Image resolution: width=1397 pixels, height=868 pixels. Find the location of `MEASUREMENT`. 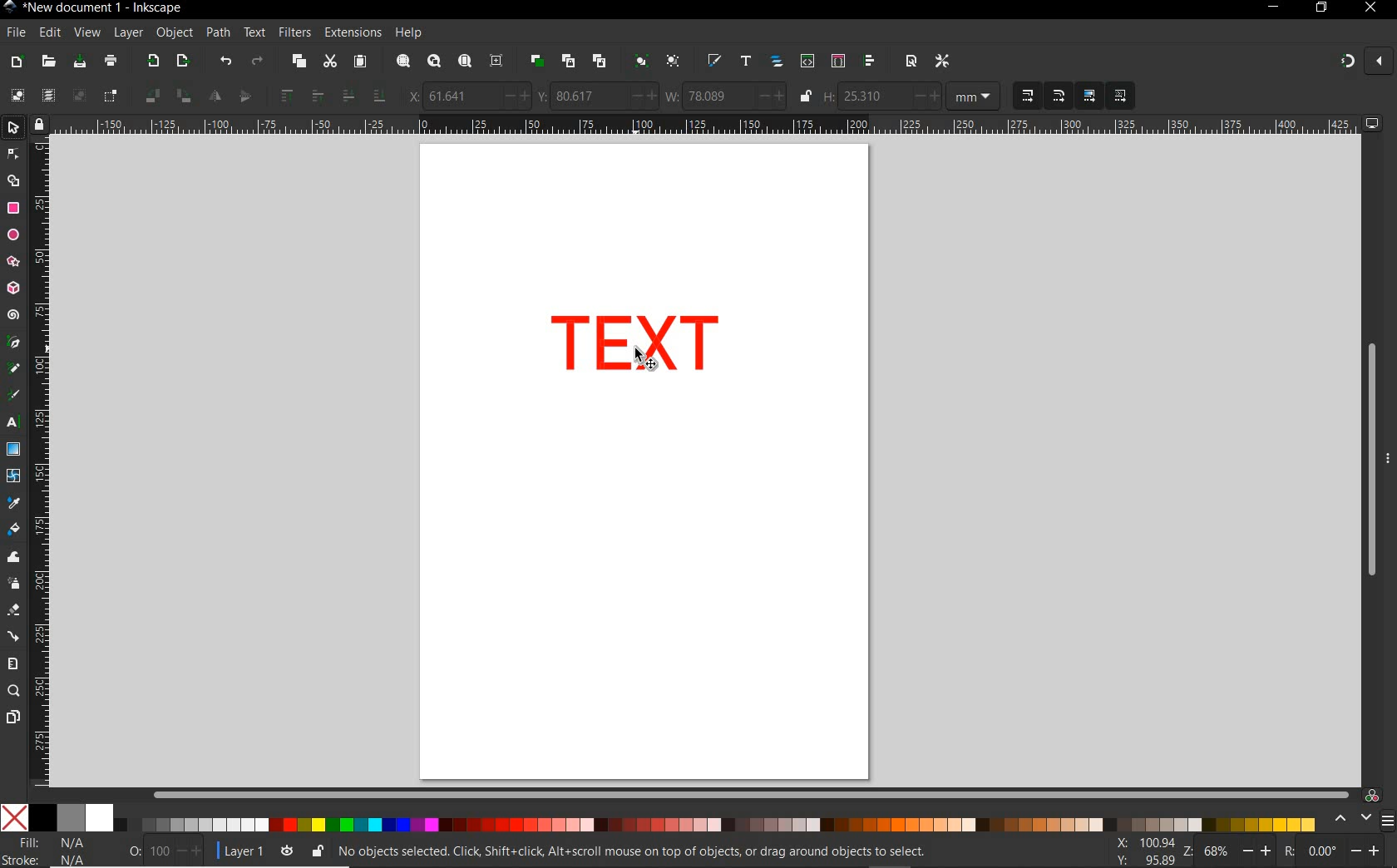

MEASUREMENT is located at coordinates (976, 96).